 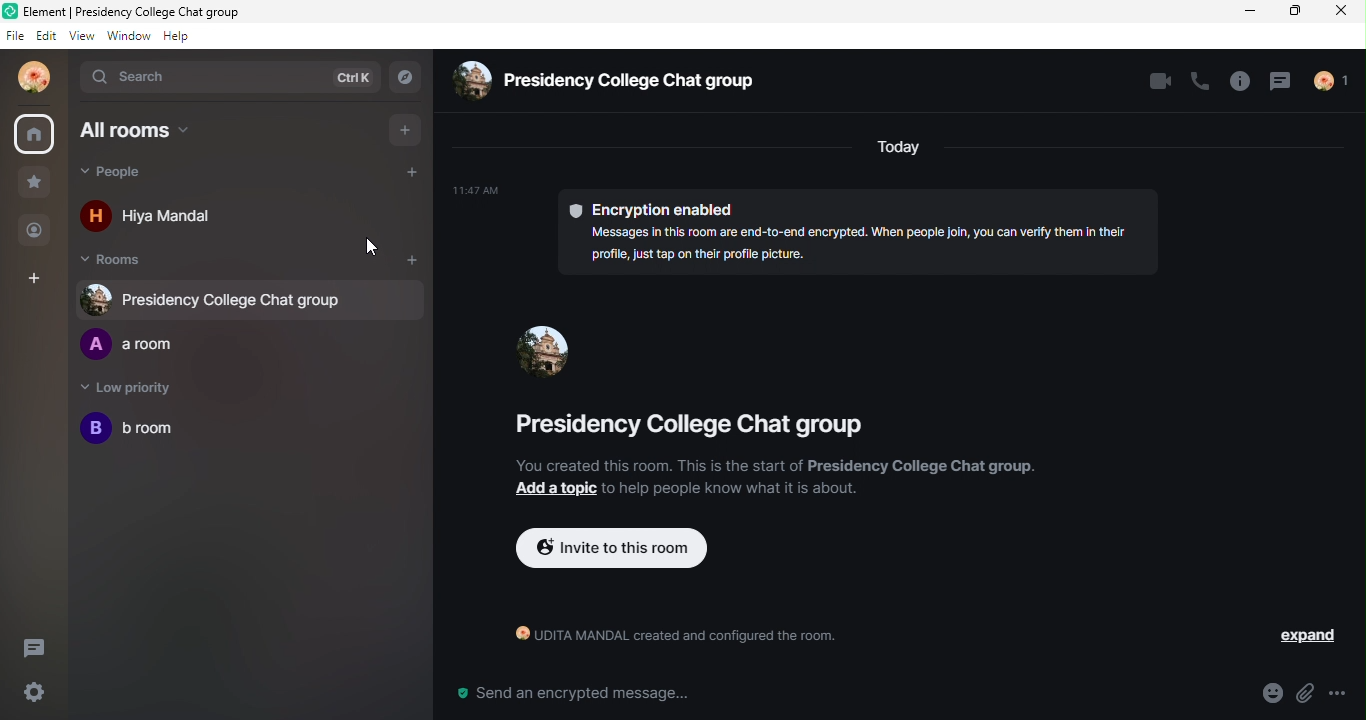 What do you see at coordinates (140, 11) in the screenshot?
I see `title` at bounding box center [140, 11].